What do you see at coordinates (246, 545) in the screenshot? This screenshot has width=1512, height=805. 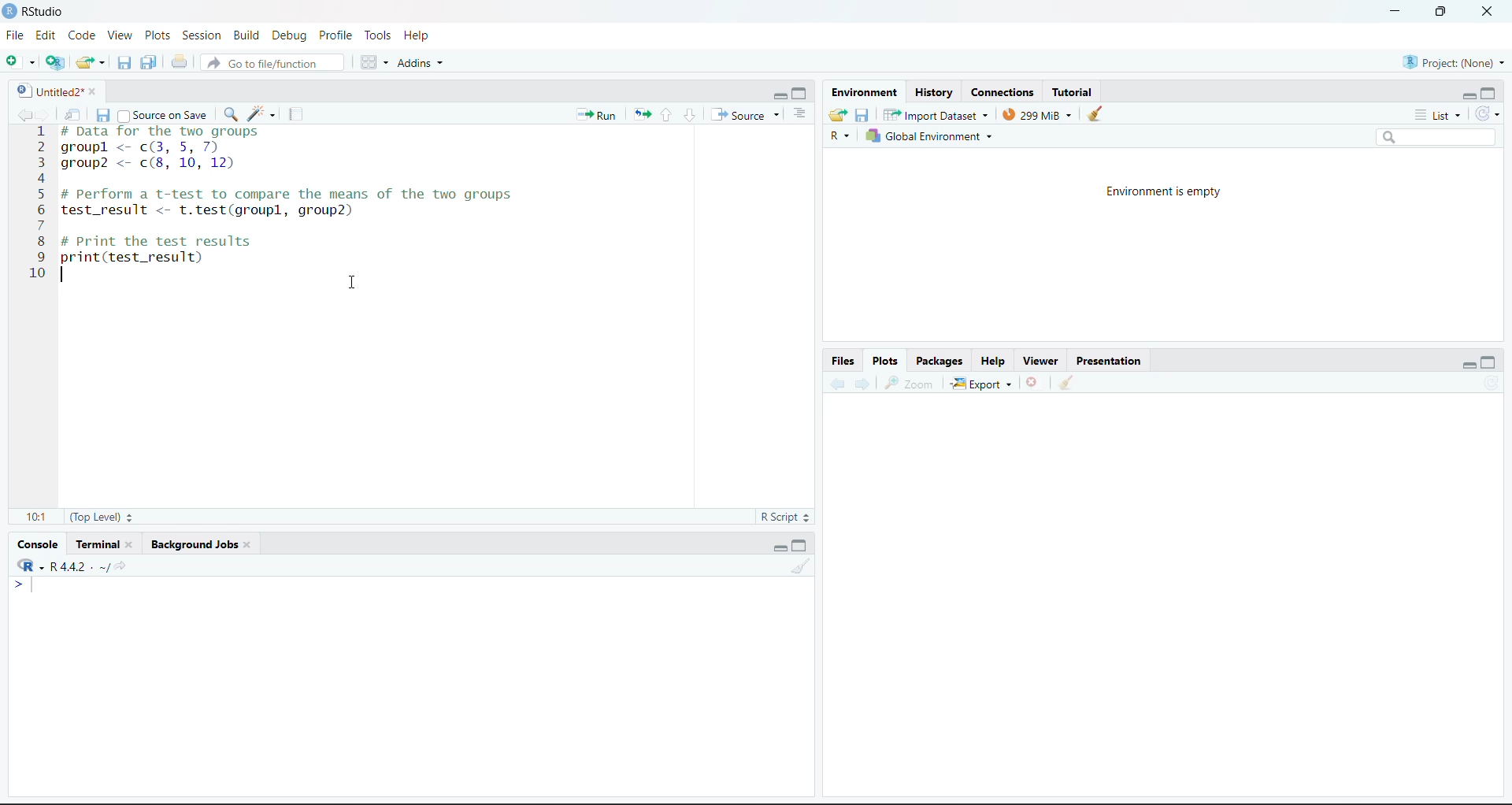 I see `close` at bounding box center [246, 545].